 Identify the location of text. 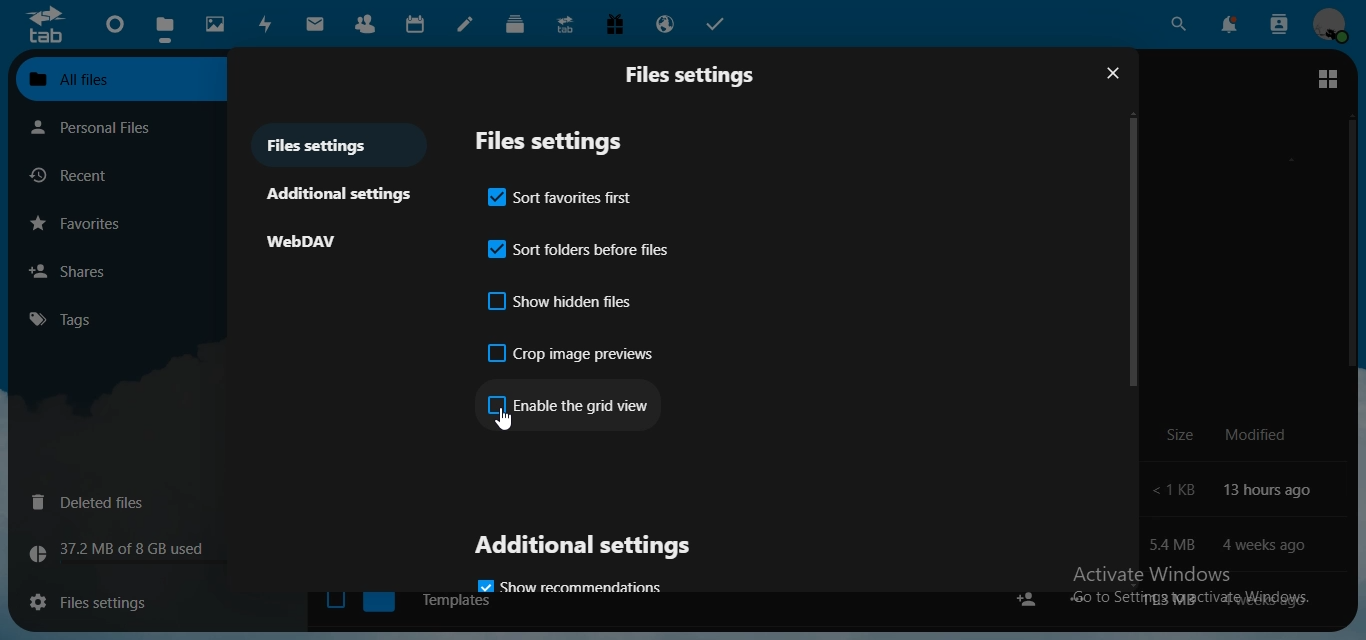
(1161, 545).